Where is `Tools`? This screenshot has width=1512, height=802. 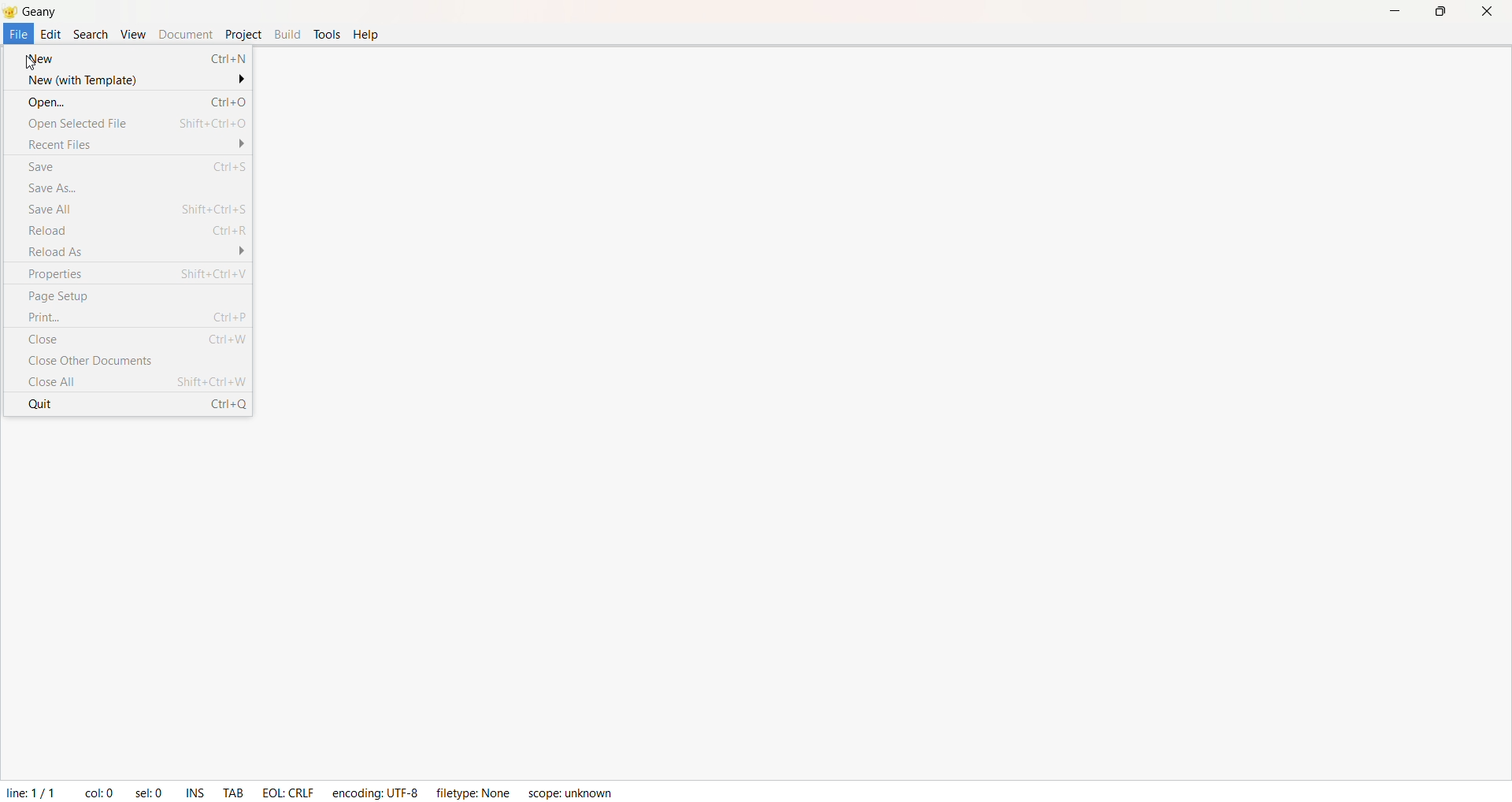
Tools is located at coordinates (330, 32).